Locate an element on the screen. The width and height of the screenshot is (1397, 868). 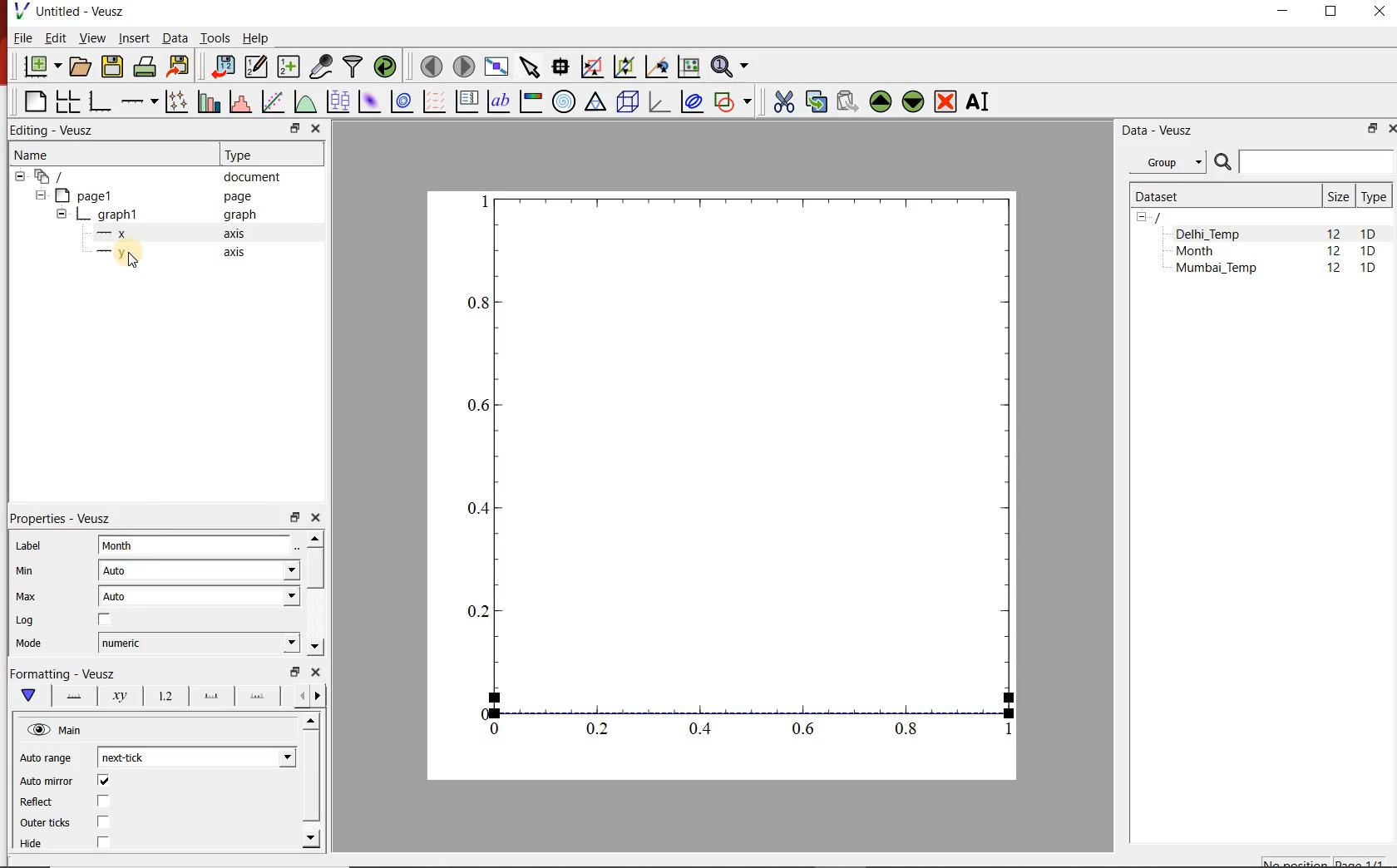
copy the selected widget is located at coordinates (814, 101).